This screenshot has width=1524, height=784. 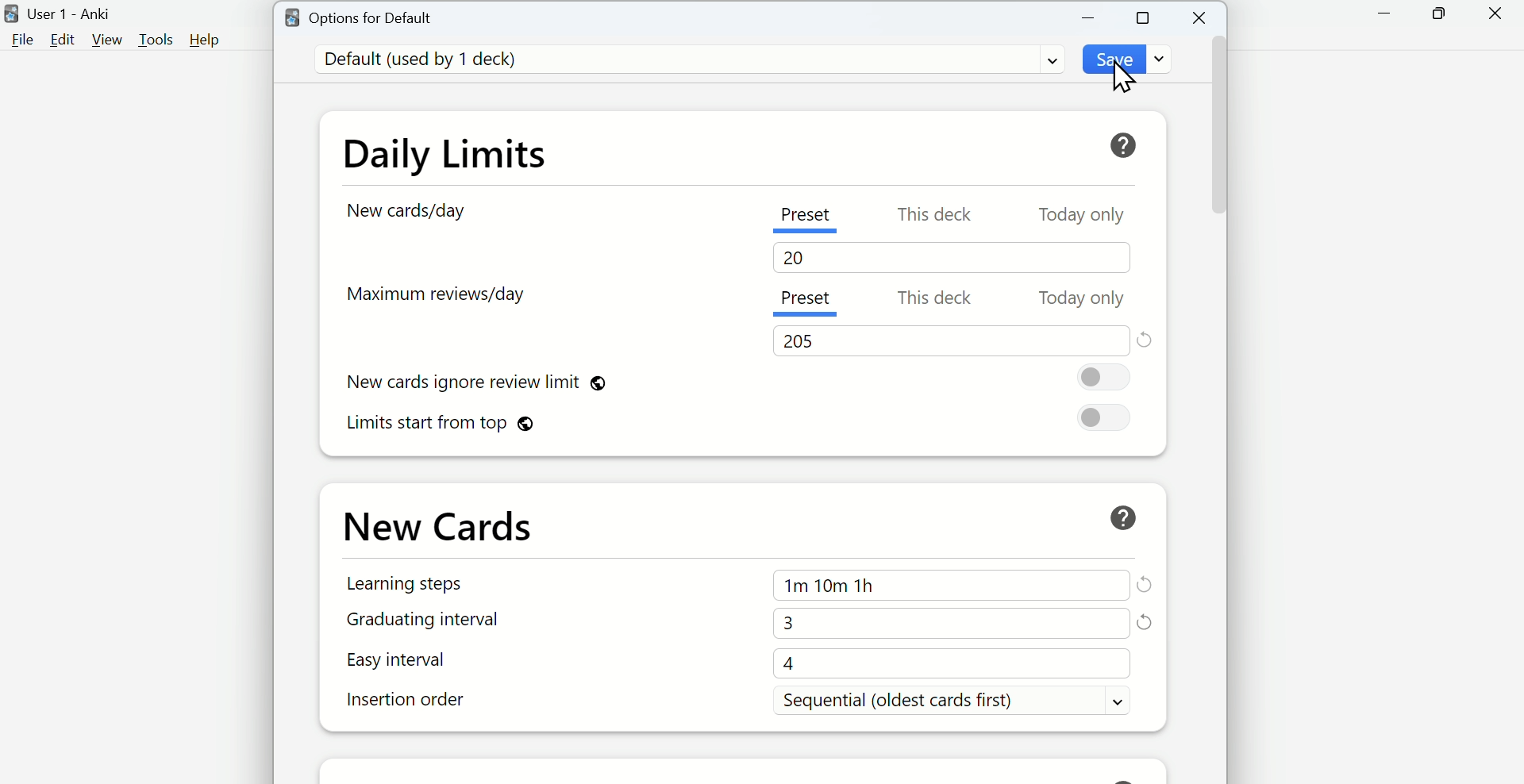 I want to click on Today only, so click(x=1086, y=298).